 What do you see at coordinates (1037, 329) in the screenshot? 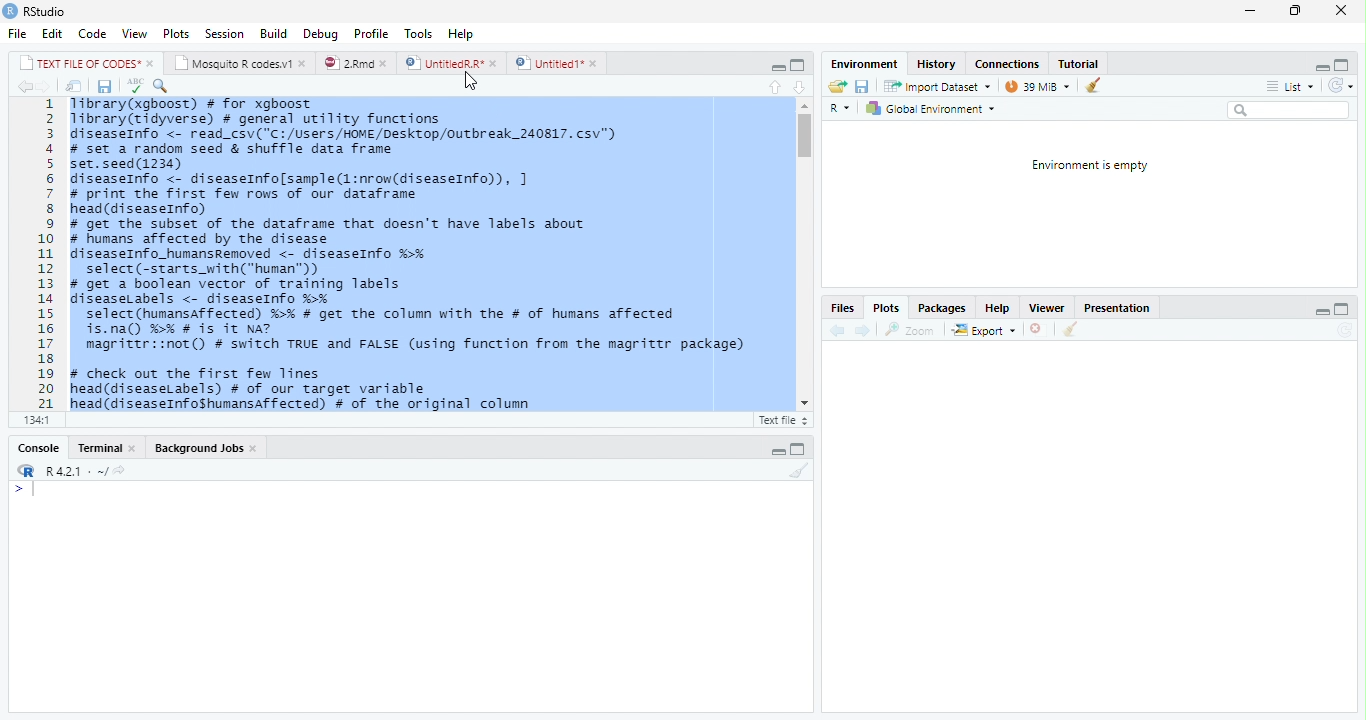
I see `Delete` at bounding box center [1037, 329].